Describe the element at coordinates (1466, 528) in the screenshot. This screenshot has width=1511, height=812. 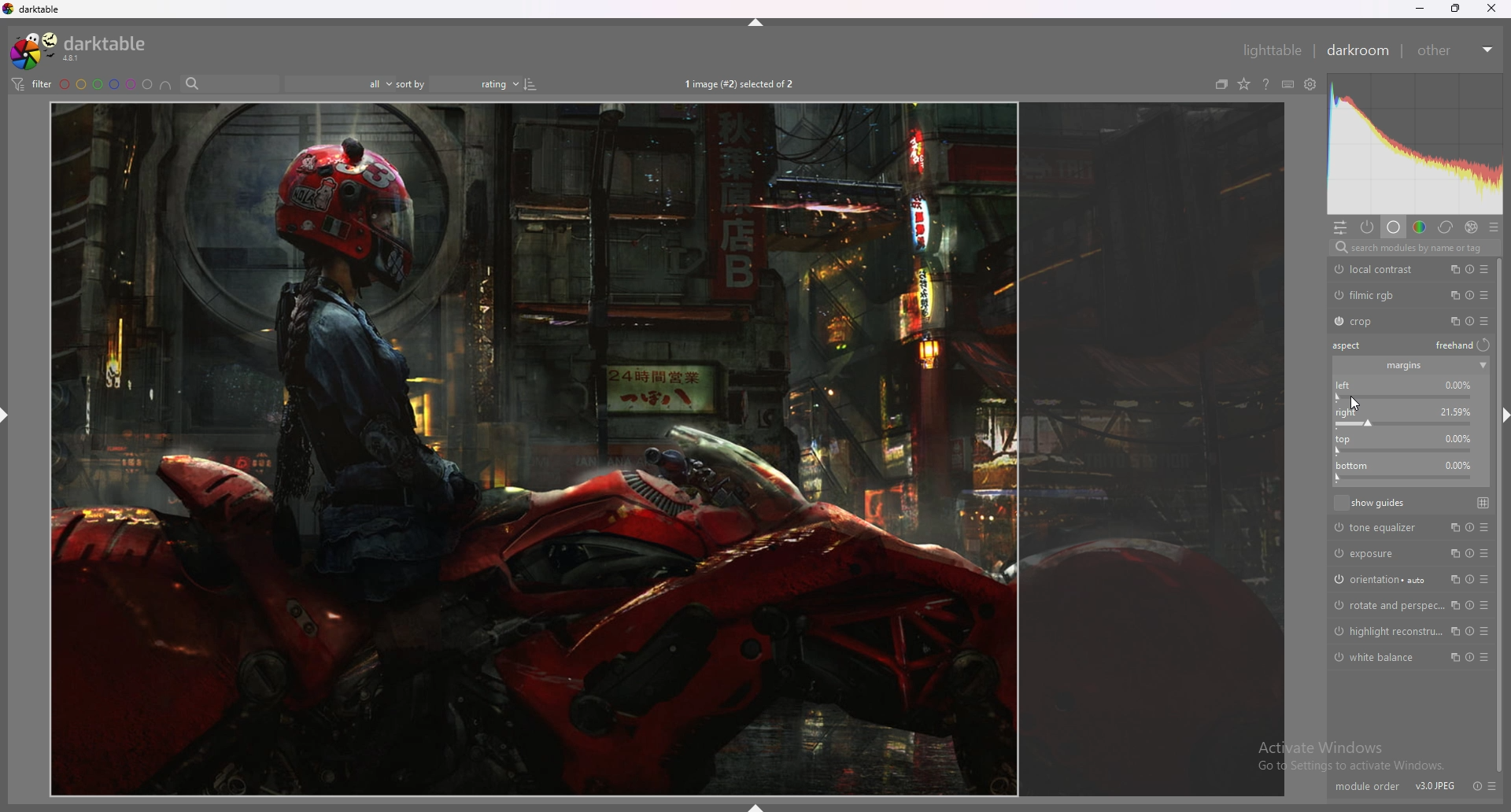
I see `reset` at that location.